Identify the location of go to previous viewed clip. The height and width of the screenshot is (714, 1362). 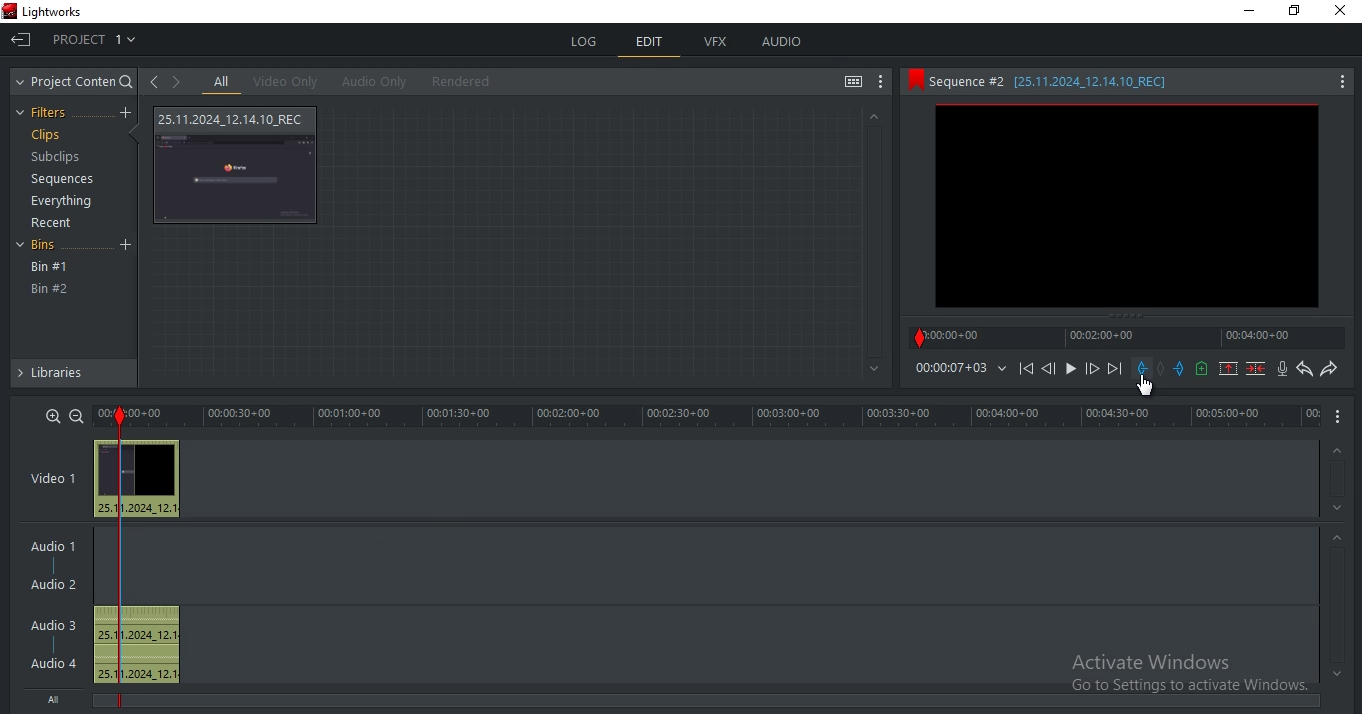
(153, 81).